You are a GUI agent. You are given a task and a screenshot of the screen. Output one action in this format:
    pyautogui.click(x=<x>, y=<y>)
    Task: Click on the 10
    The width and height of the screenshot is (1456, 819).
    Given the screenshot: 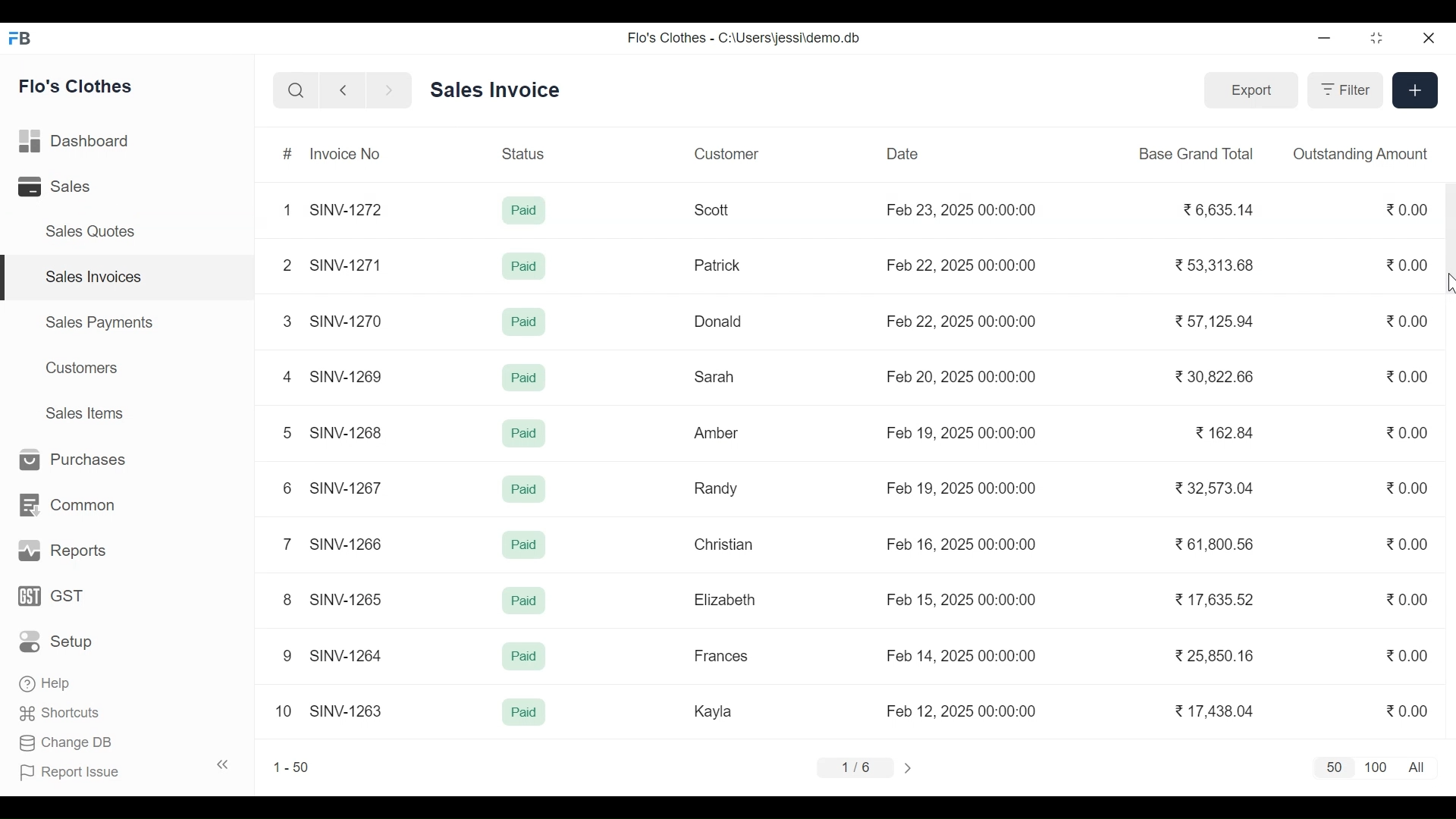 What is the action you would take?
    pyautogui.click(x=284, y=711)
    